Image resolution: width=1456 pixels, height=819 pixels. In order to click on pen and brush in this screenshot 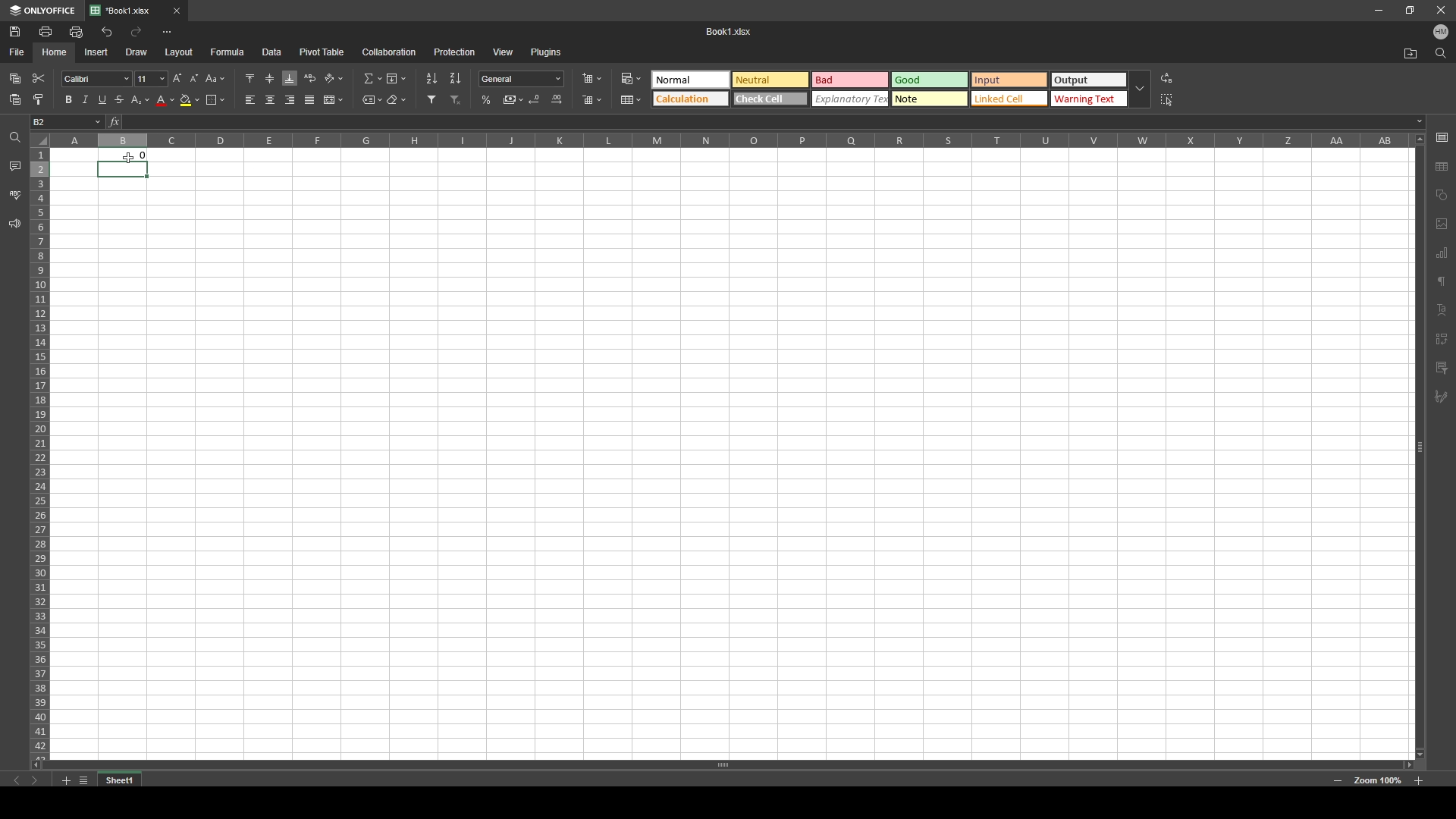, I will do `click(1441, 397)`.